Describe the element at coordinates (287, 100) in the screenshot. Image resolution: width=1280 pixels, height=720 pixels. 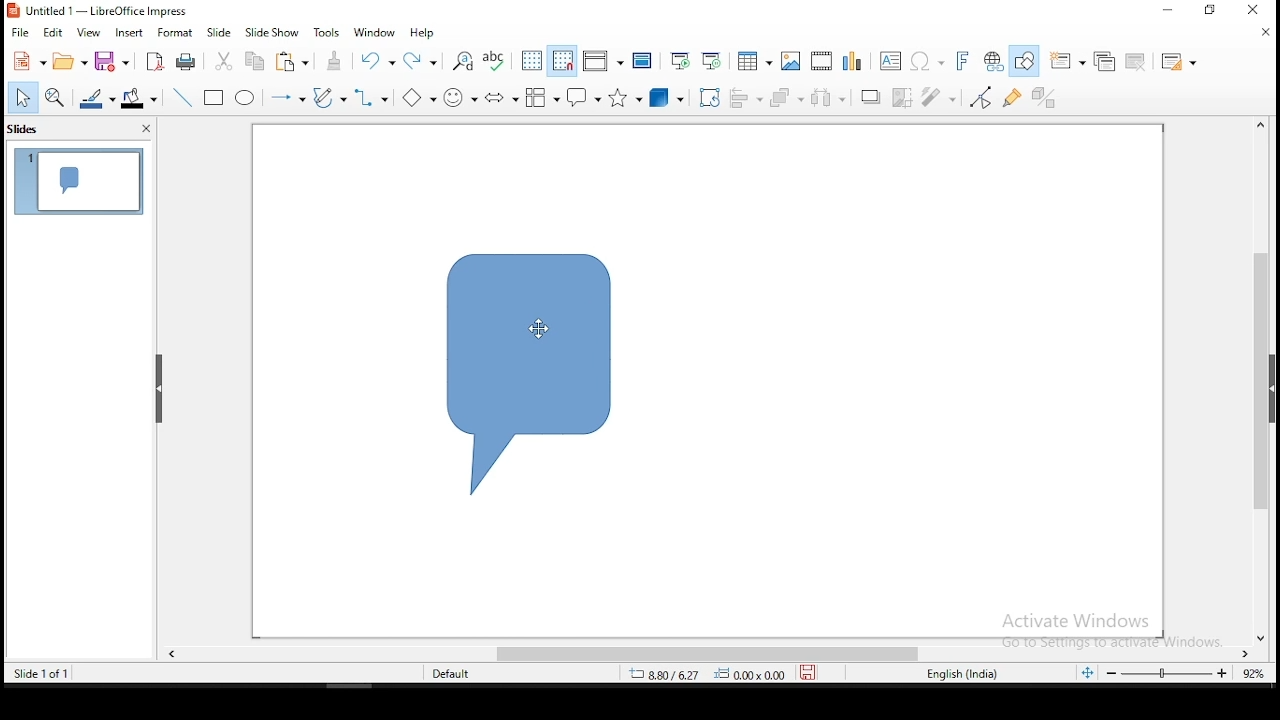
I see `lines and arrows` at that location.